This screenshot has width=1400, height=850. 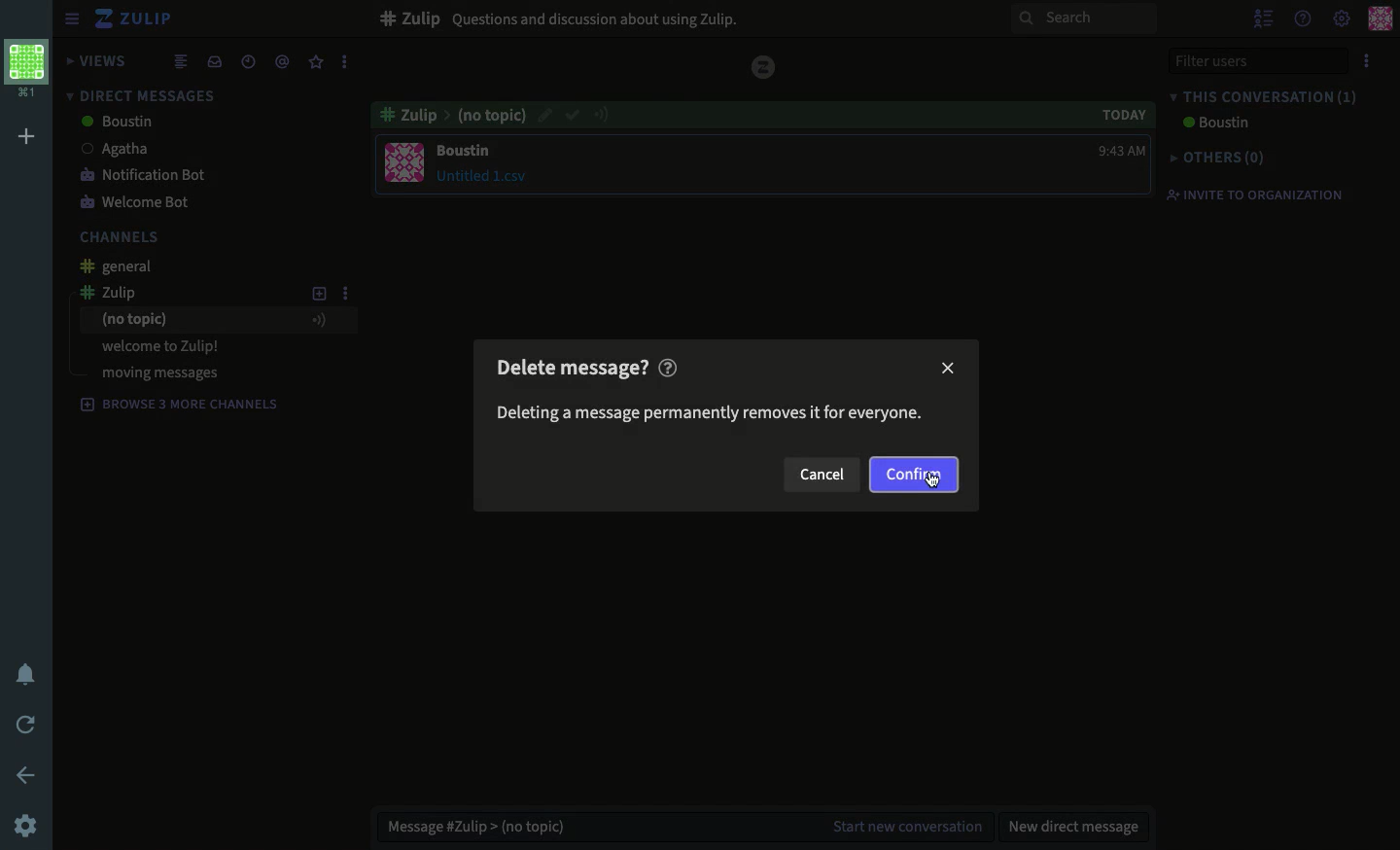 I want to click on search, so click(x=1083, y=19).